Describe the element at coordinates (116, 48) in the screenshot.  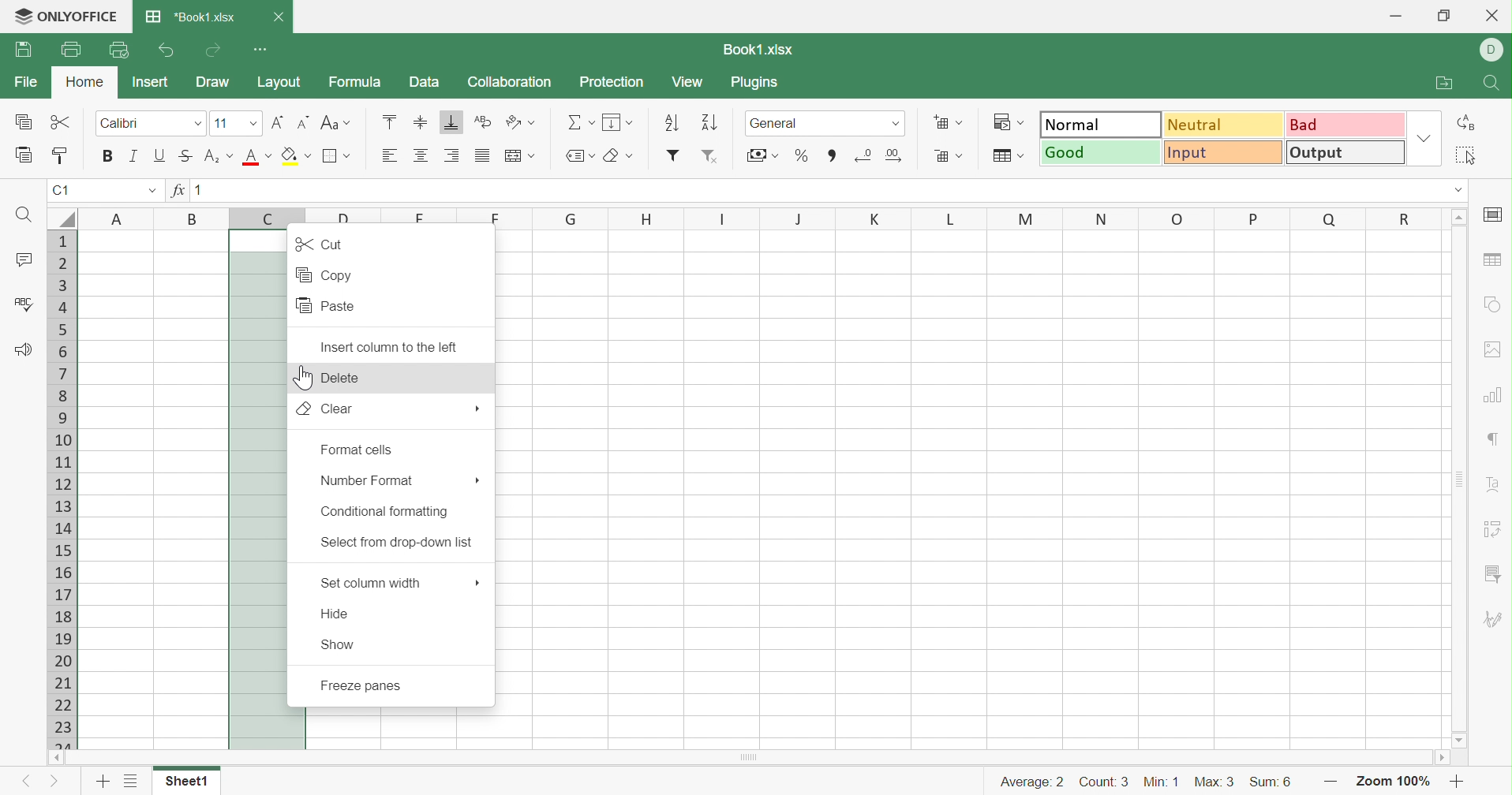
I see `Quick Print` at that location.